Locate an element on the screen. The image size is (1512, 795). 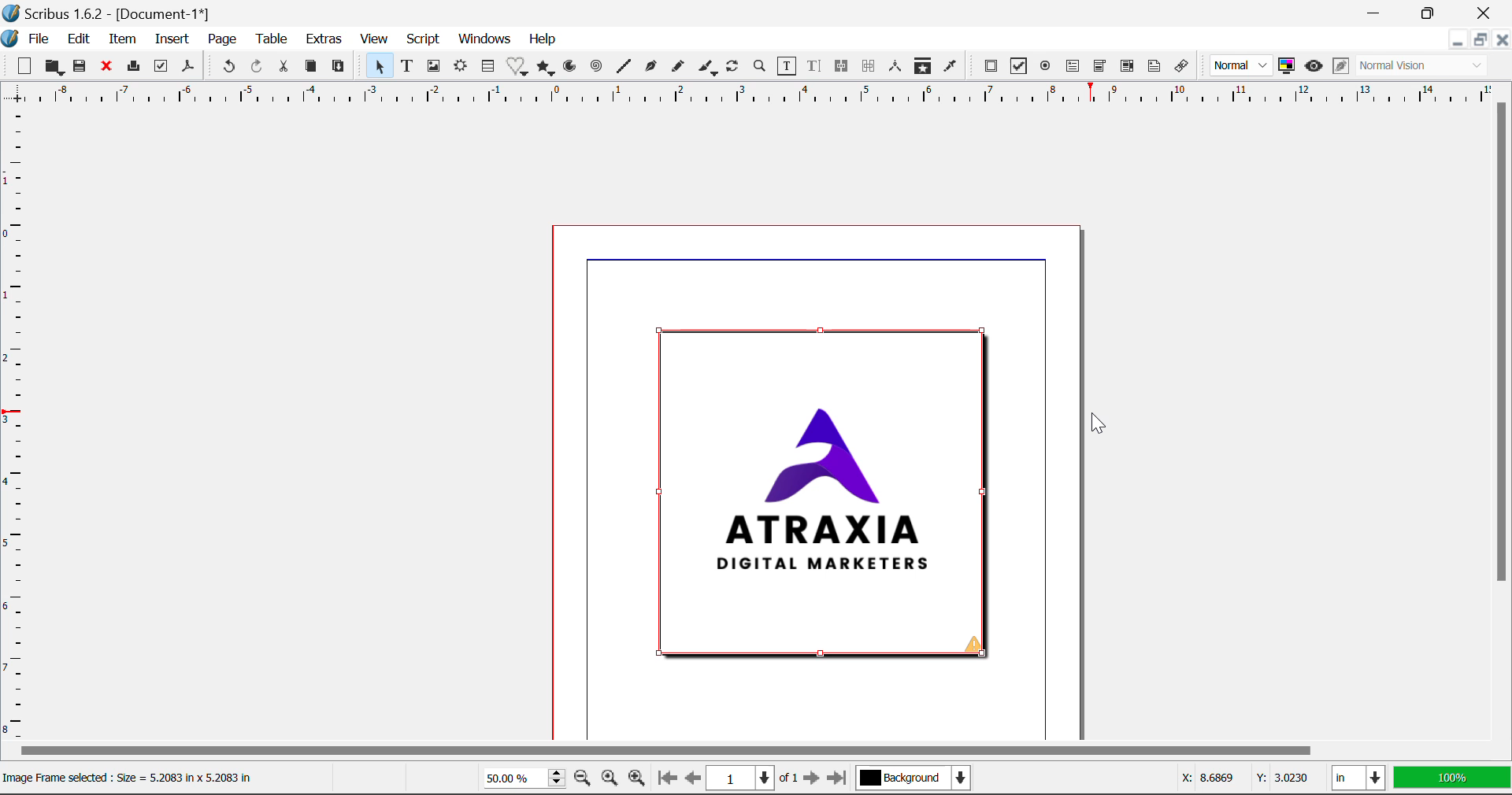
Edit Contents of Frame is located at coordinates (788, 68).